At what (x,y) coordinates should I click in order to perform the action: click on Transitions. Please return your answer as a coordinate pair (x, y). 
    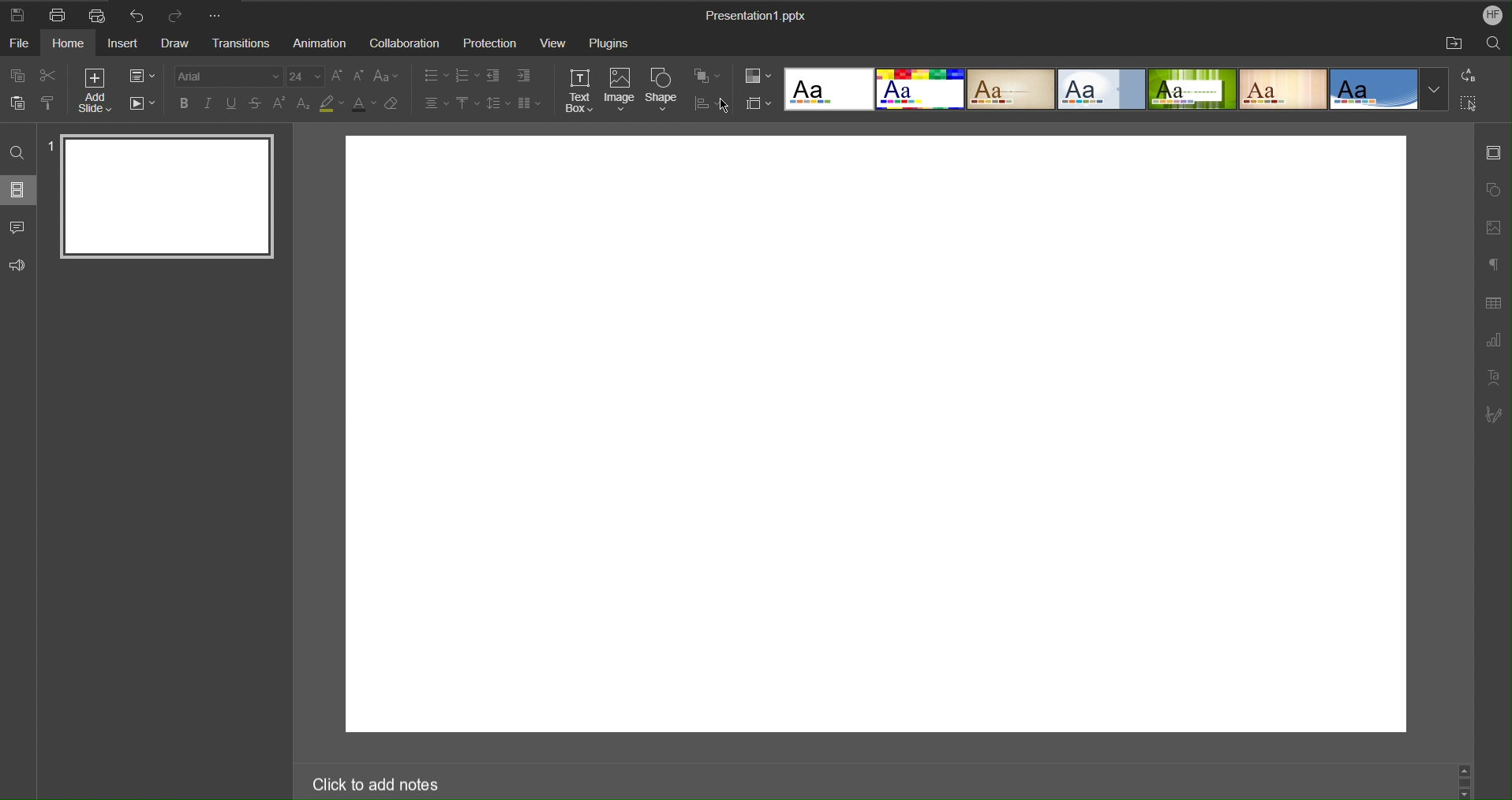
    Looking at the image, I should click on (241, 43).